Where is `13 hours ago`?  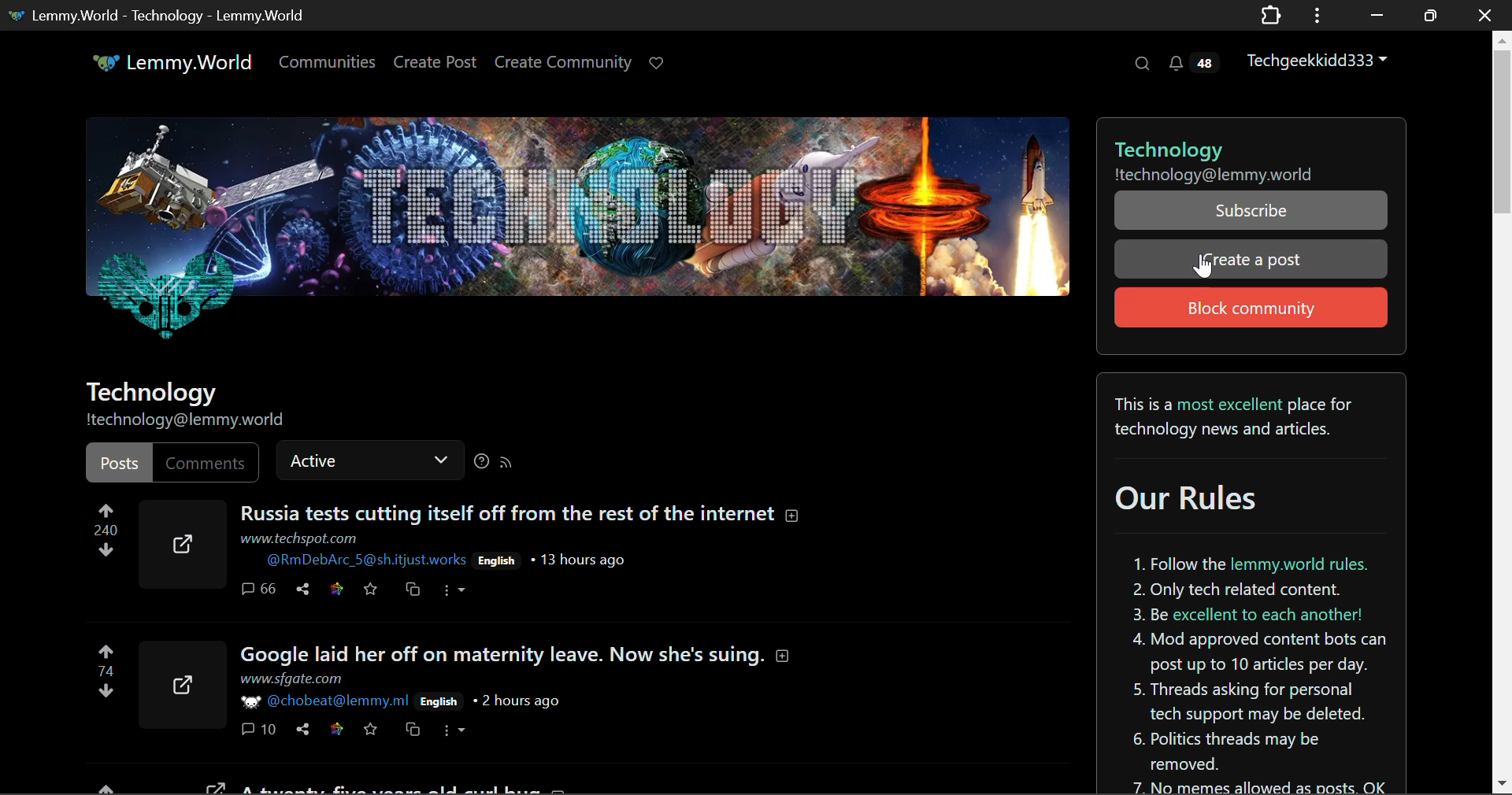 13 hours ago is located at coordinates (586, 560).